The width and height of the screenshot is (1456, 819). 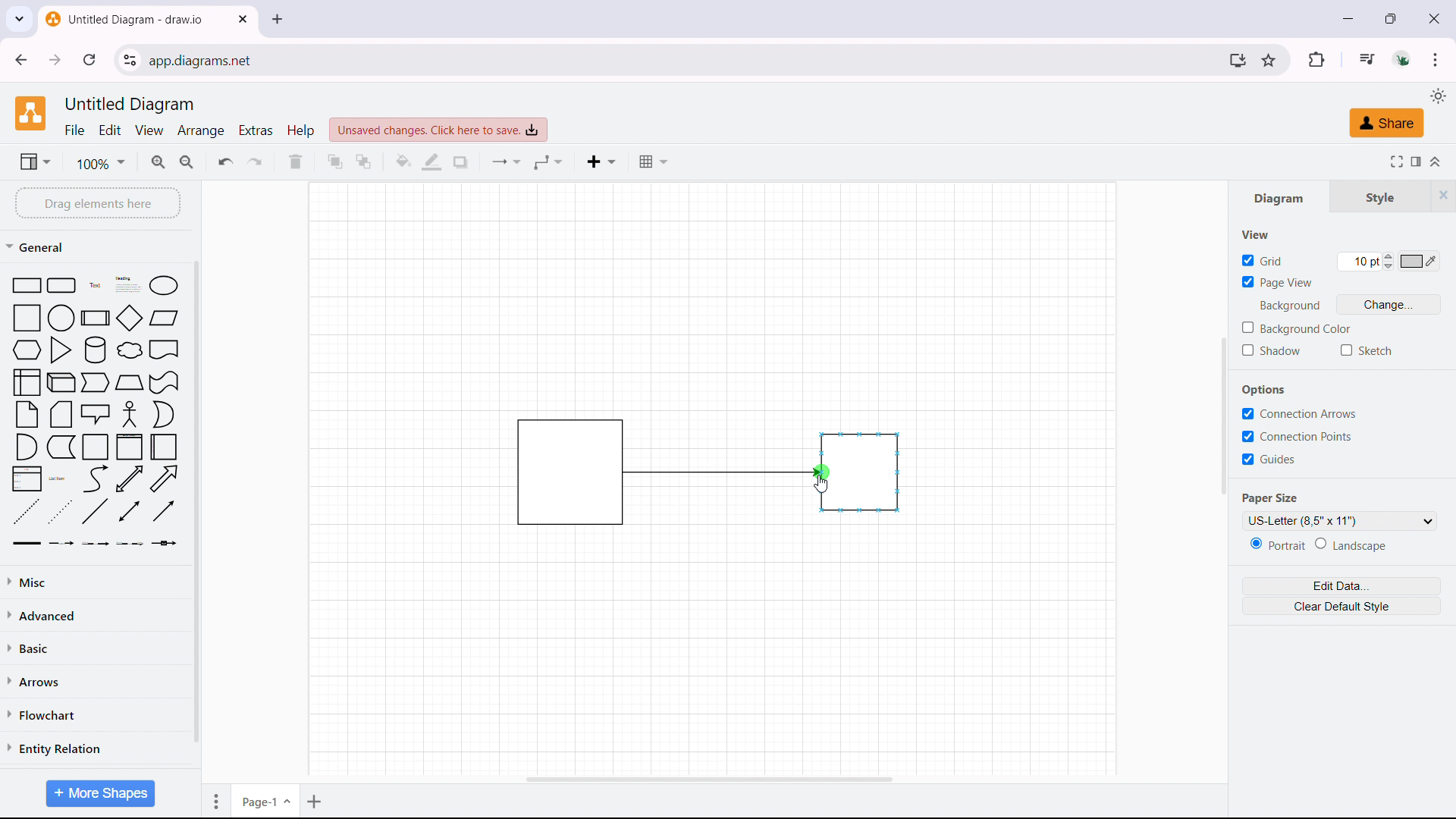 What do you see at coordinates (1338, 519) in the screenshot?
I see `paper size` at bounding box center [1338, 519].